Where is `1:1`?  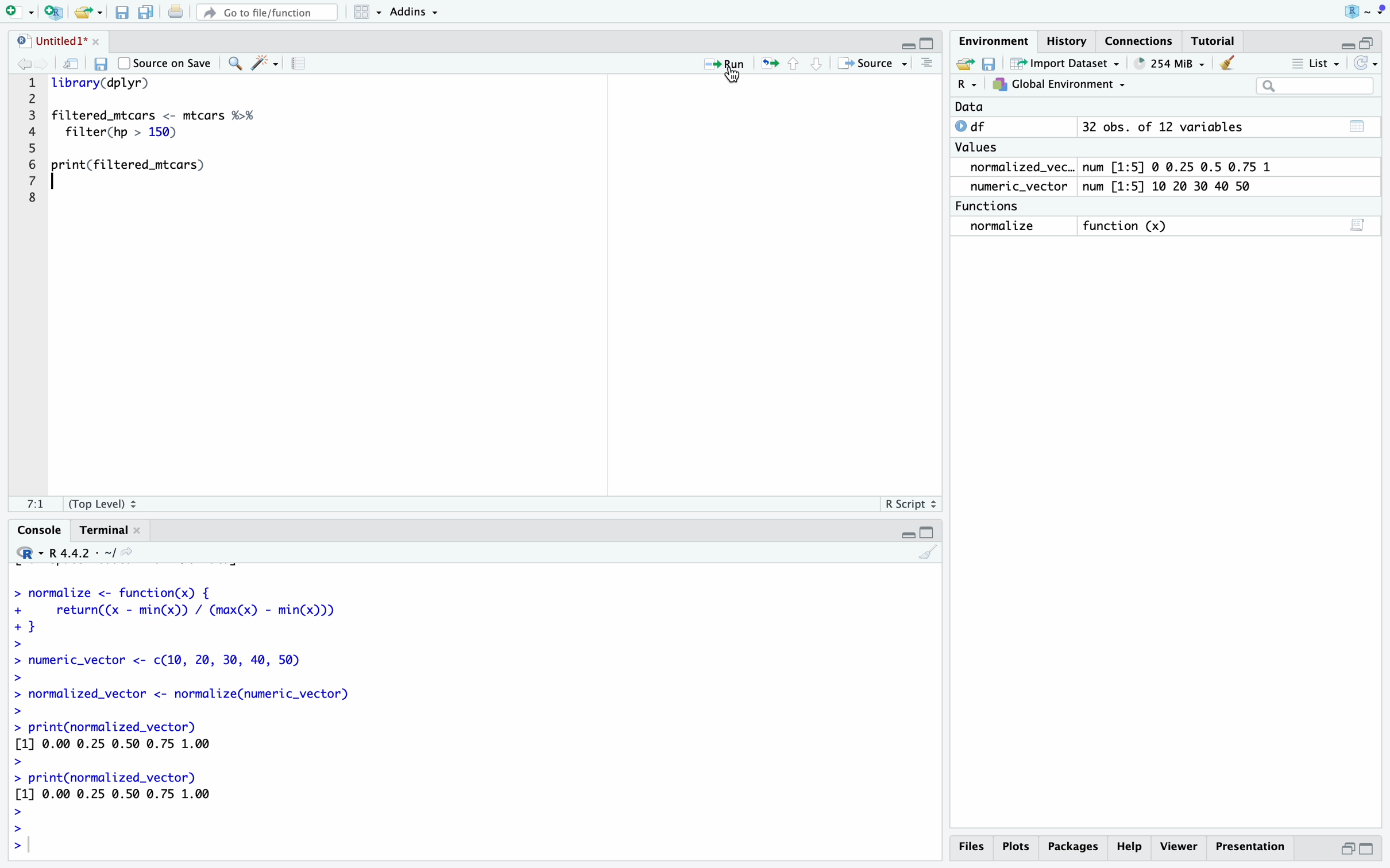
1:1 is located at coordinates (38, 505).